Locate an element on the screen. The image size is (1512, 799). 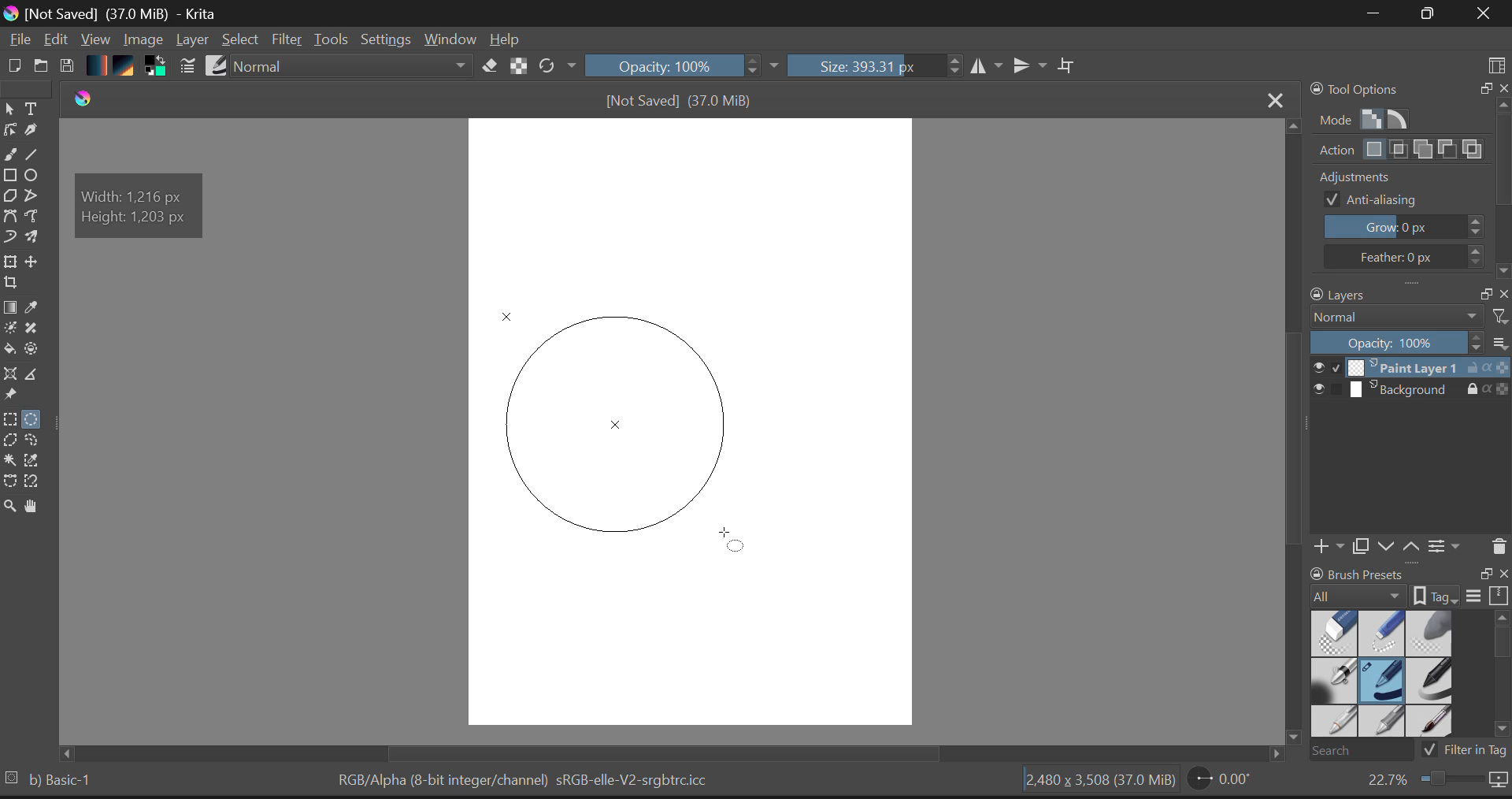
Choose Workspace is located at coordinates (1496, 60).